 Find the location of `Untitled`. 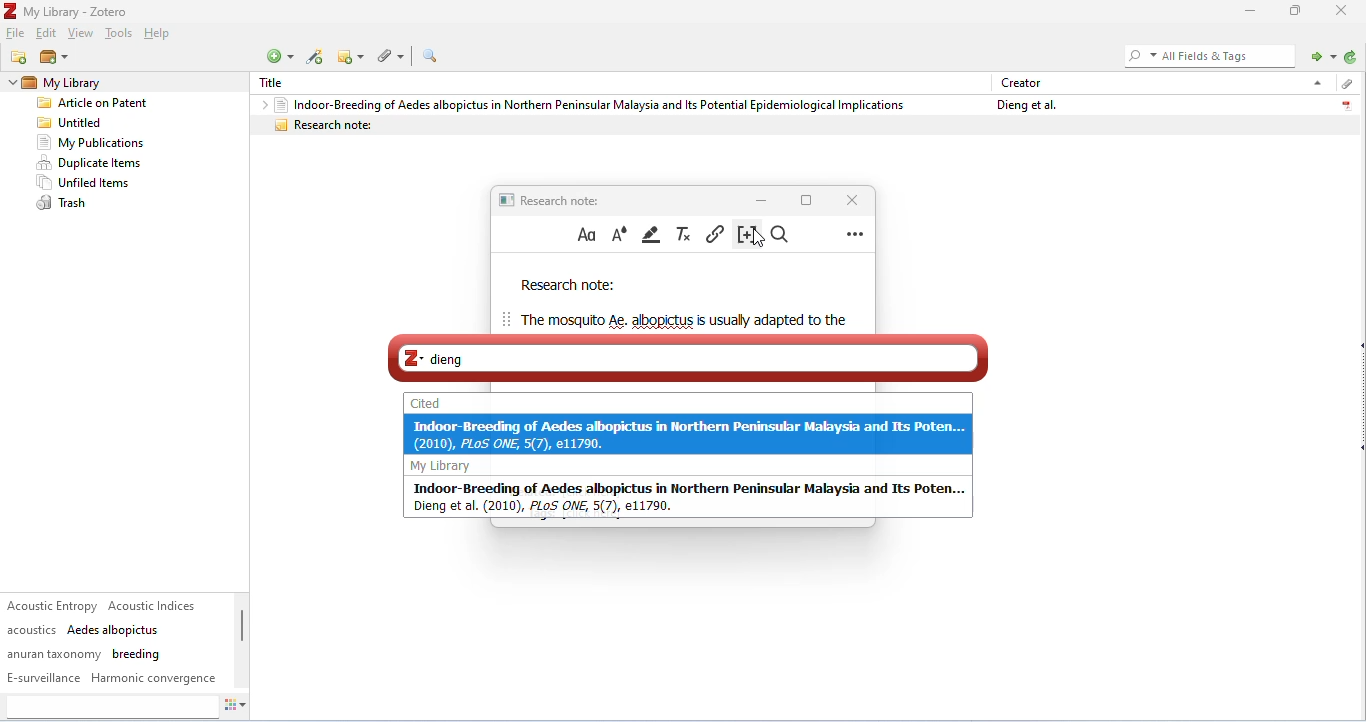

Untitled is located at coordinates (74, 123).